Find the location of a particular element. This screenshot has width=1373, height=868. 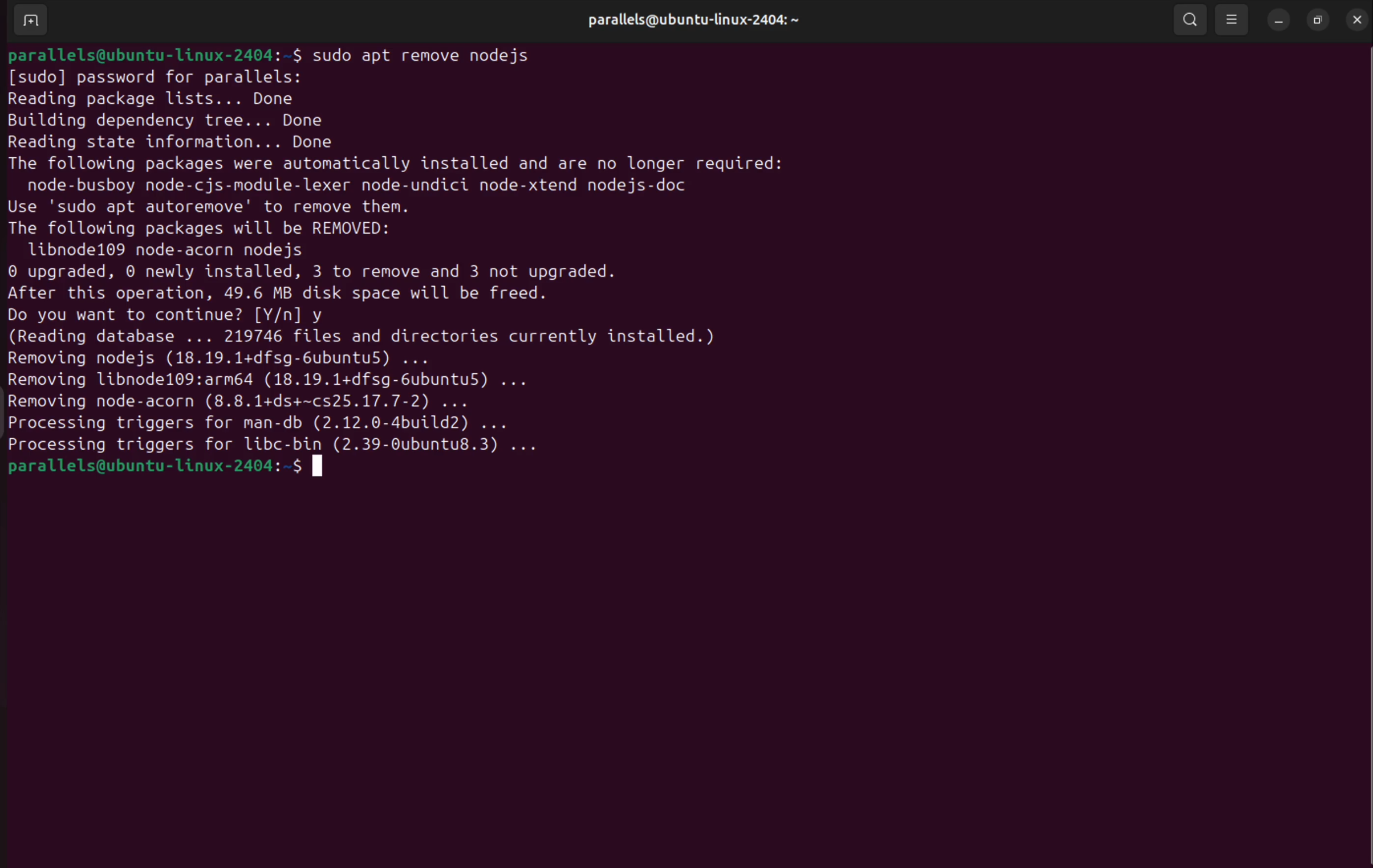

Reading package lists... Done

Building dependency tree... Done

Reading state information... Done

The following packages were automatically installed and are no longer required:
node-busboy node-cjs-module-lexer node-undici node-xtend nodejs-doc

Use 'sudo apt autoremove' to remove them.

The following packages will be REMOVED:
1ibnode109 node-acorn nodejs

0 upgraded, 0 newly installed, 3 to remove and 3 not upgraded.

After this operation, 49.6 MB disk space will be freed. is located at coordinates (393, 196).